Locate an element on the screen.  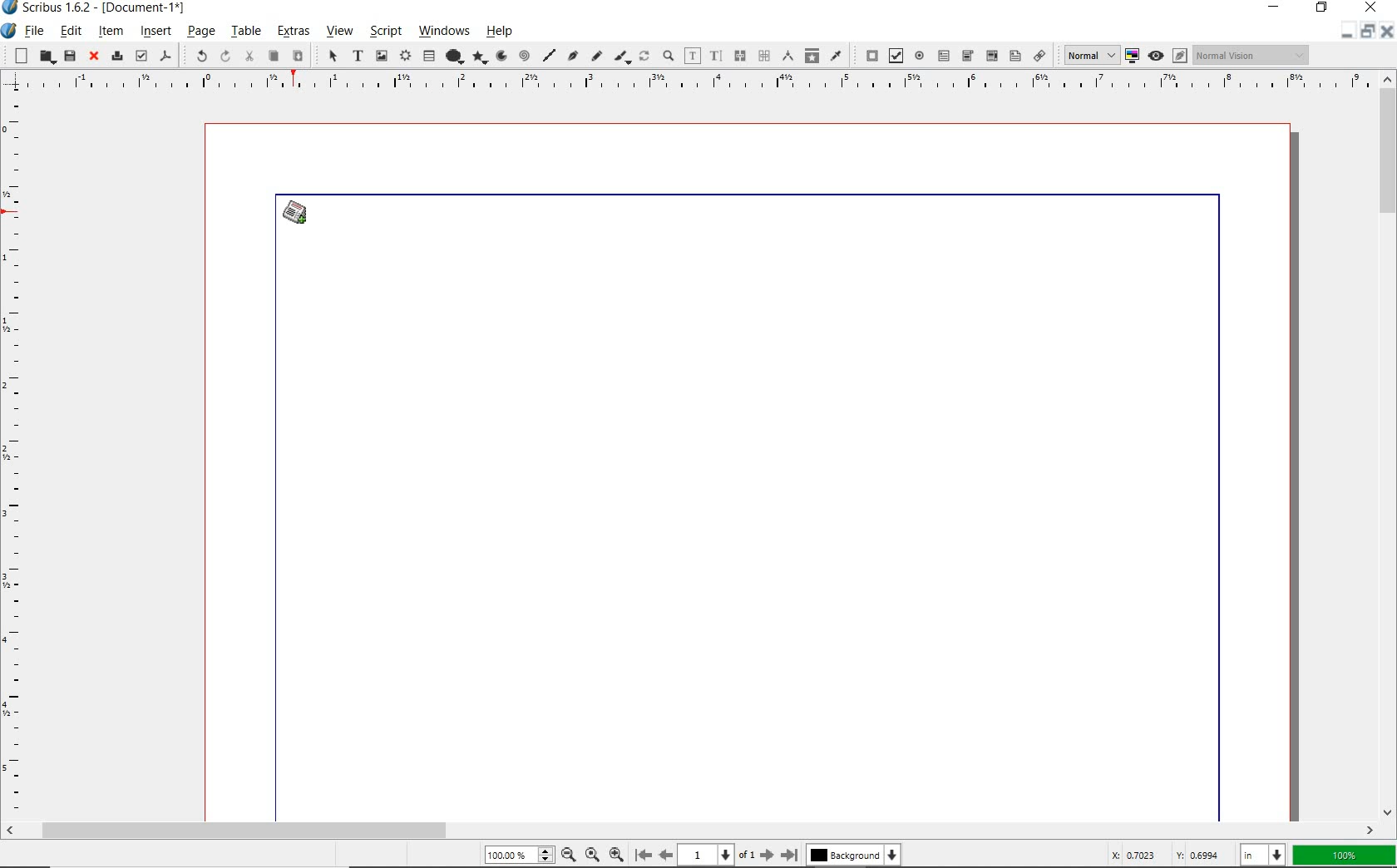
preview mode is located at coordinates (1167, 56).